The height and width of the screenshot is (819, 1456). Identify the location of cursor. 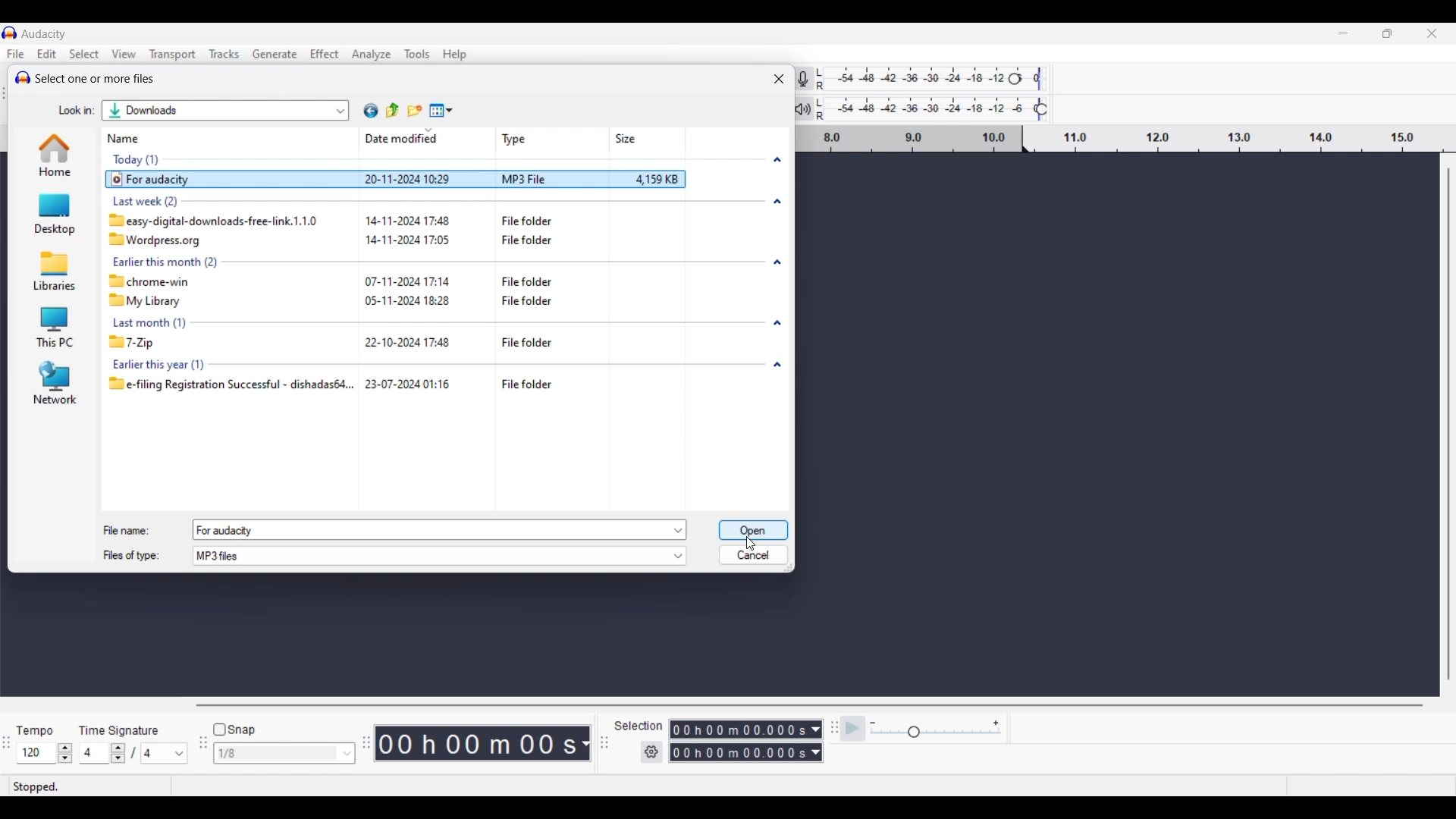
(755, 541).